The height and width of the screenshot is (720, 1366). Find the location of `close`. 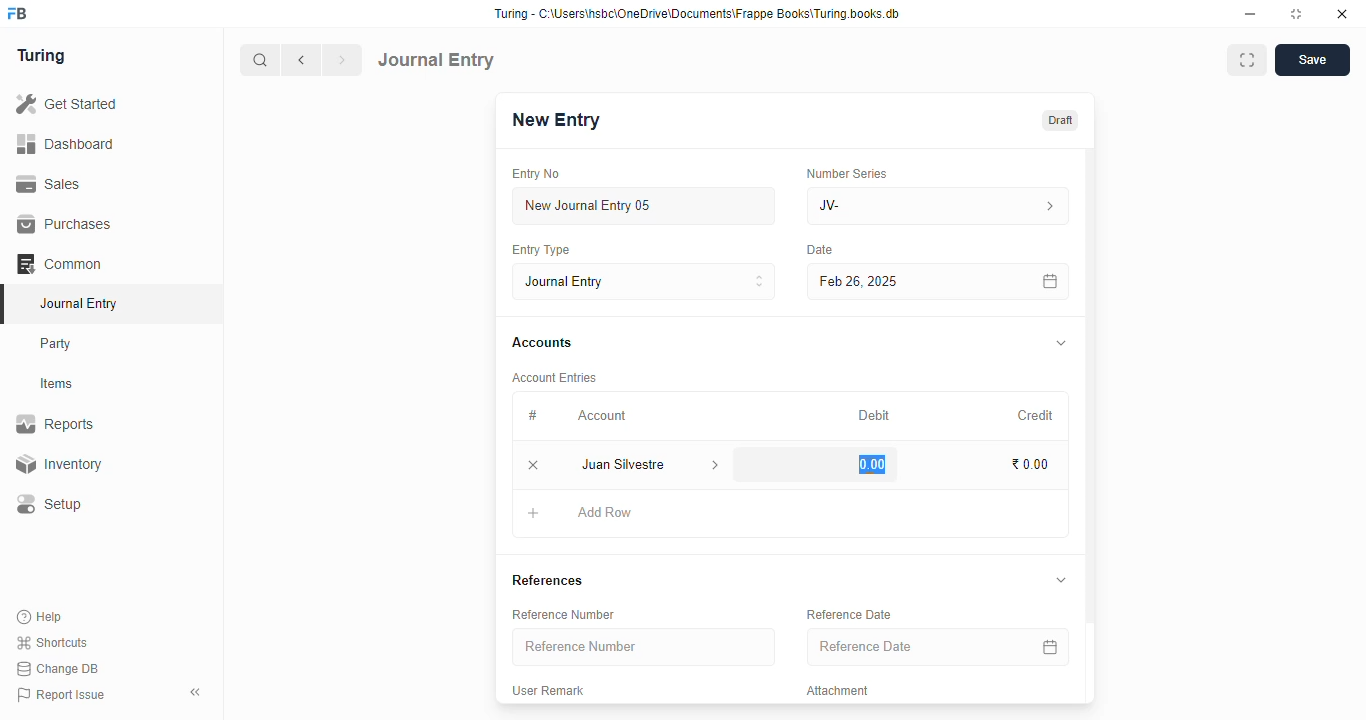

close is located at coordinates (1342, 14).